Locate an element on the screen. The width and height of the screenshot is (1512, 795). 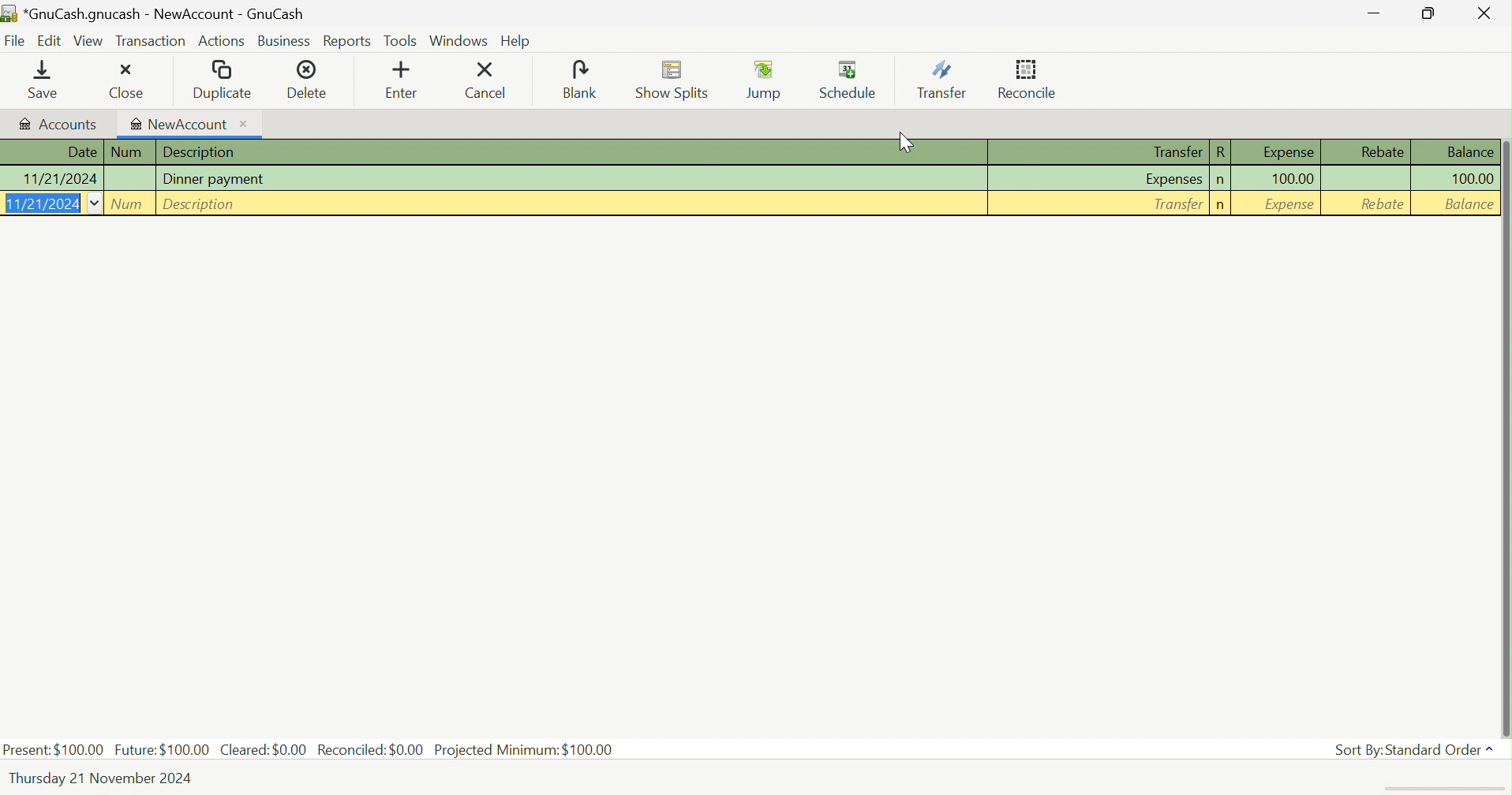
Transfer is located at coordinates (1174, 151).